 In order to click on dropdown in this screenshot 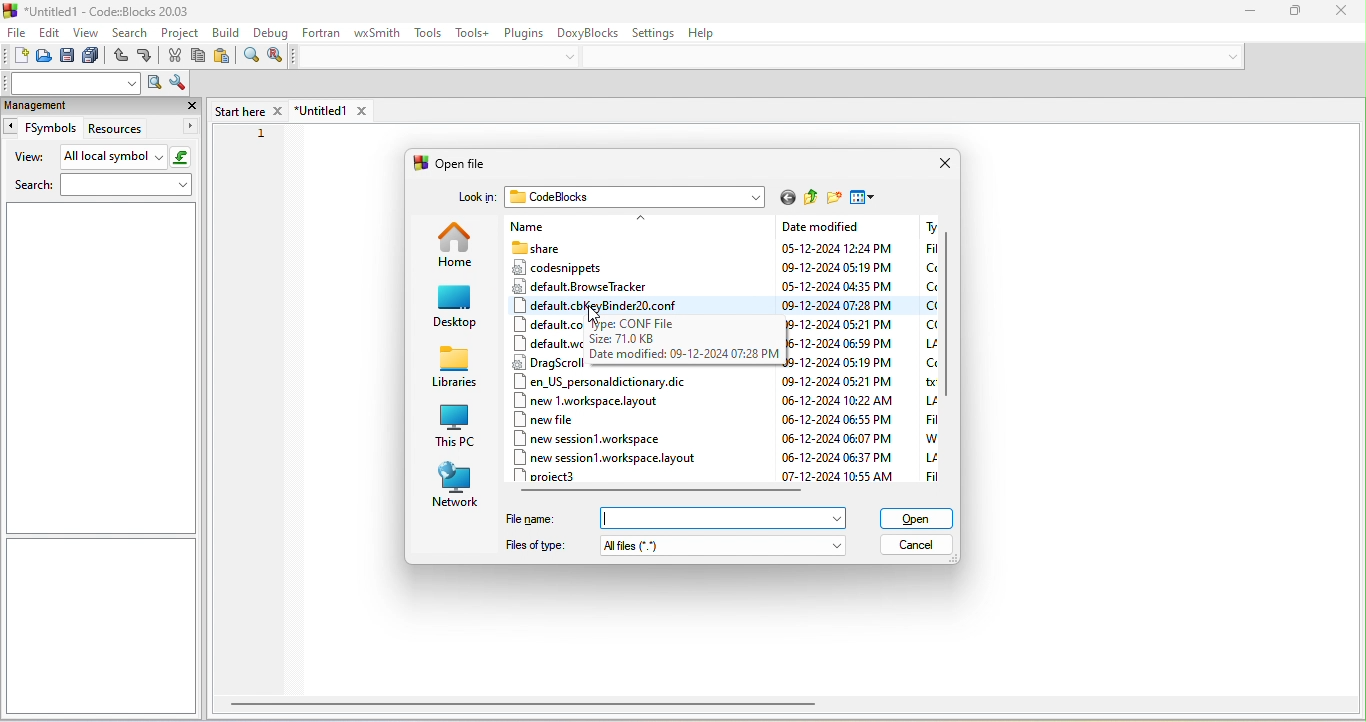, I will do `click(570, 57)`.